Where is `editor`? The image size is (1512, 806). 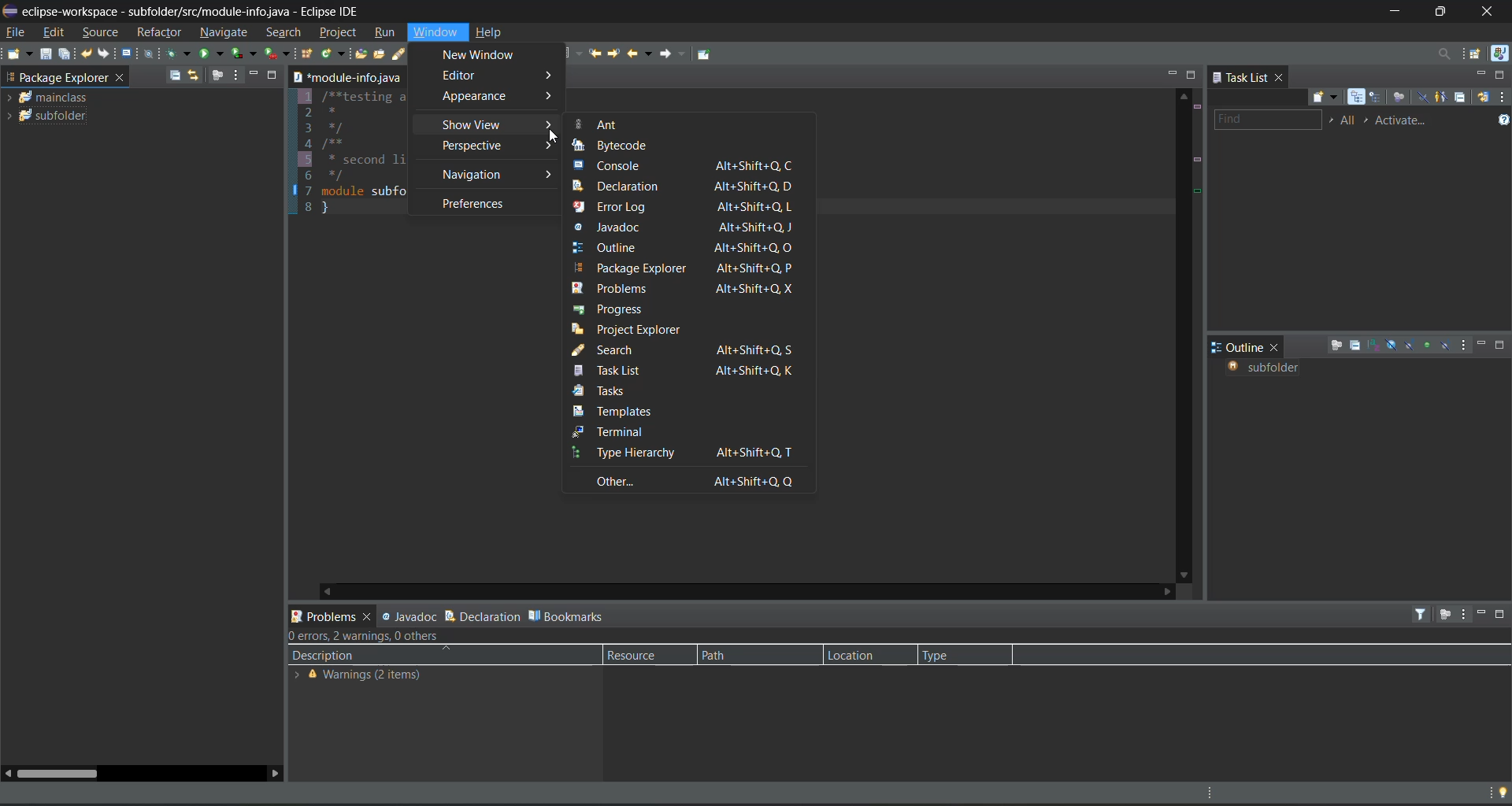 editor is located at coordinates (502, 76).